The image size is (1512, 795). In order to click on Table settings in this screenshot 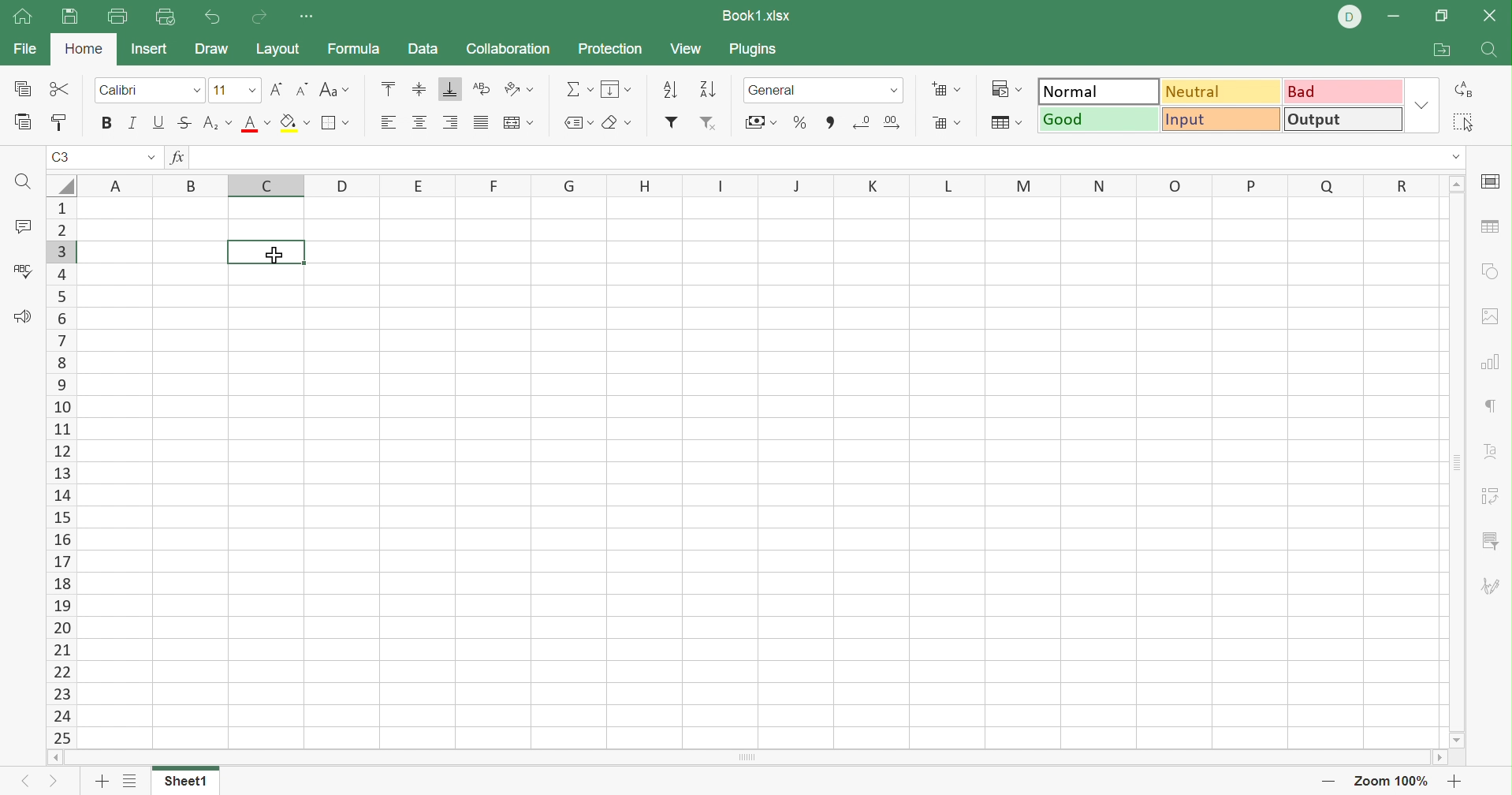, I will do `click(1494, 230)`.